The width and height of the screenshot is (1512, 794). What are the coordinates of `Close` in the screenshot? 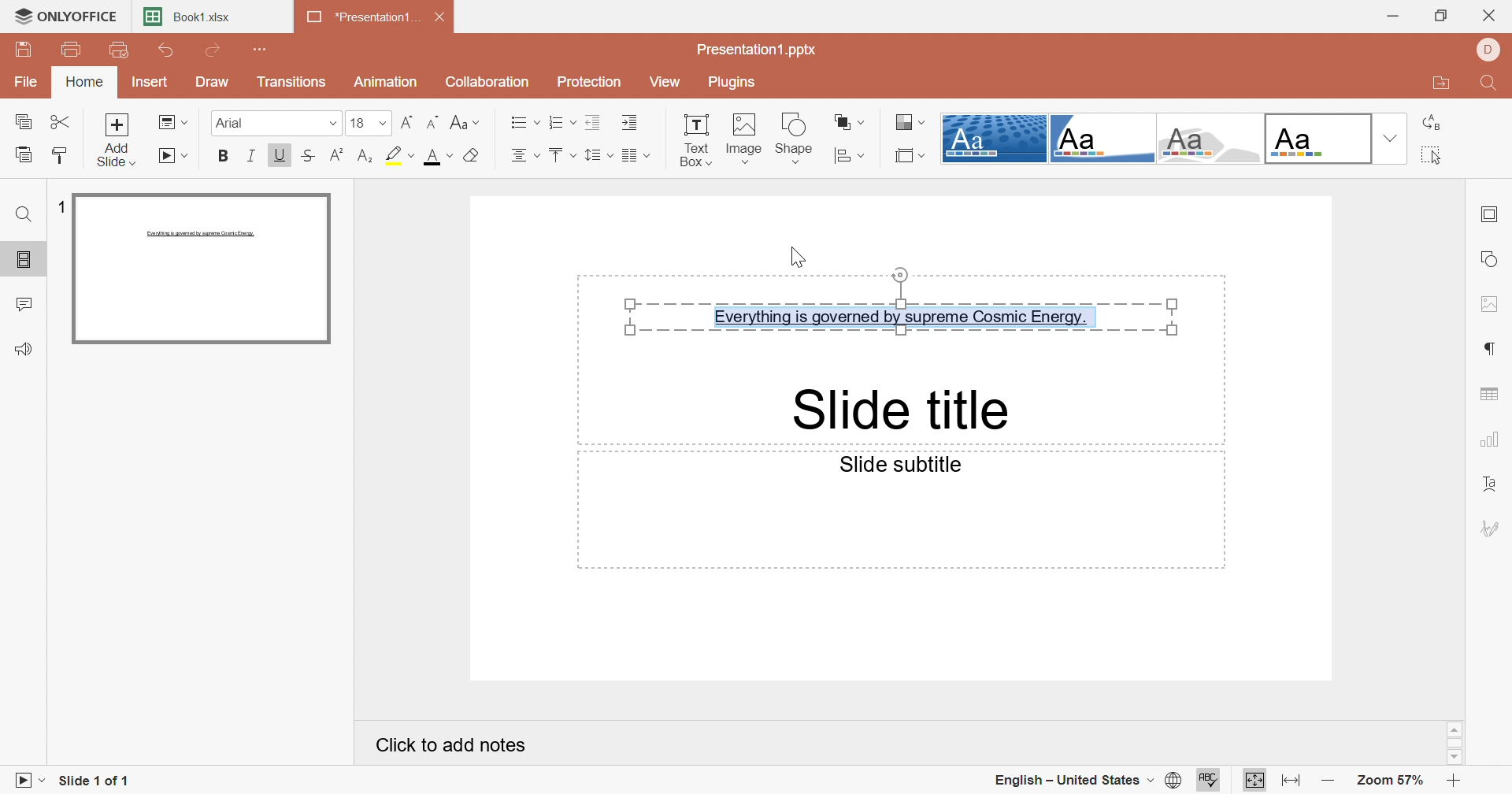 It's located at (1492, 15).